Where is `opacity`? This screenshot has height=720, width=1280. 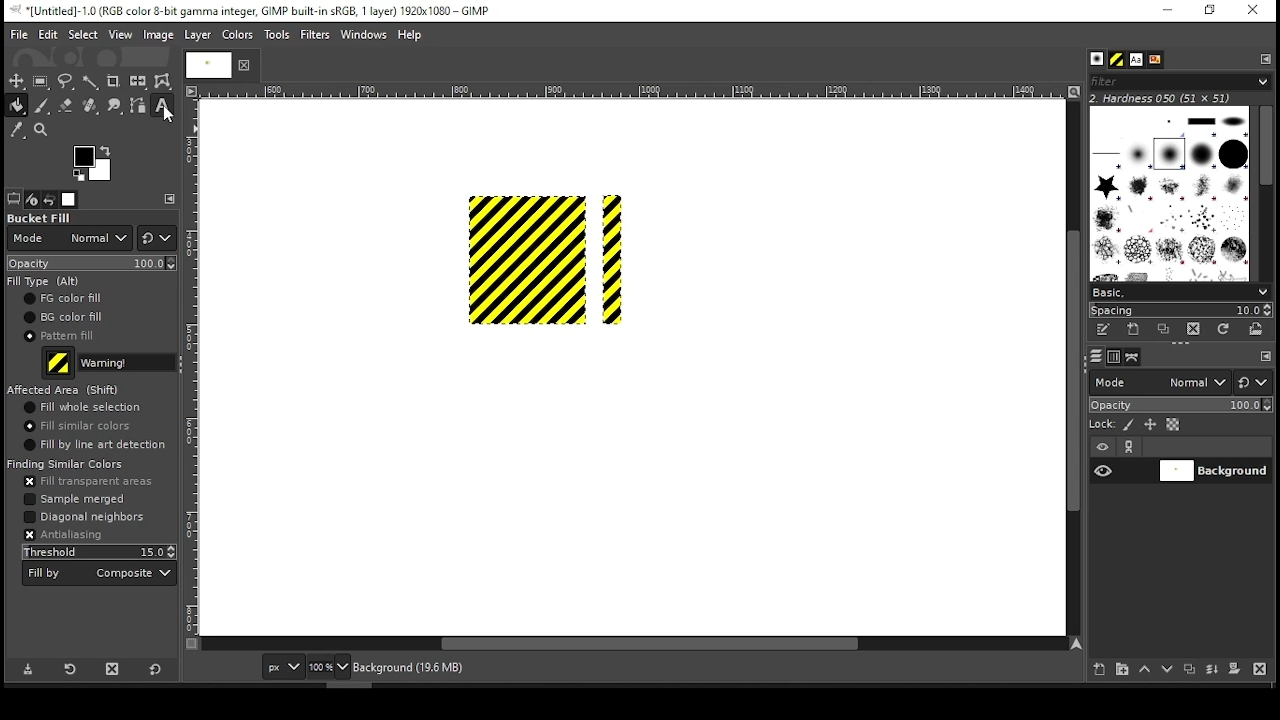
opacity is located at coordinates (90, 263).